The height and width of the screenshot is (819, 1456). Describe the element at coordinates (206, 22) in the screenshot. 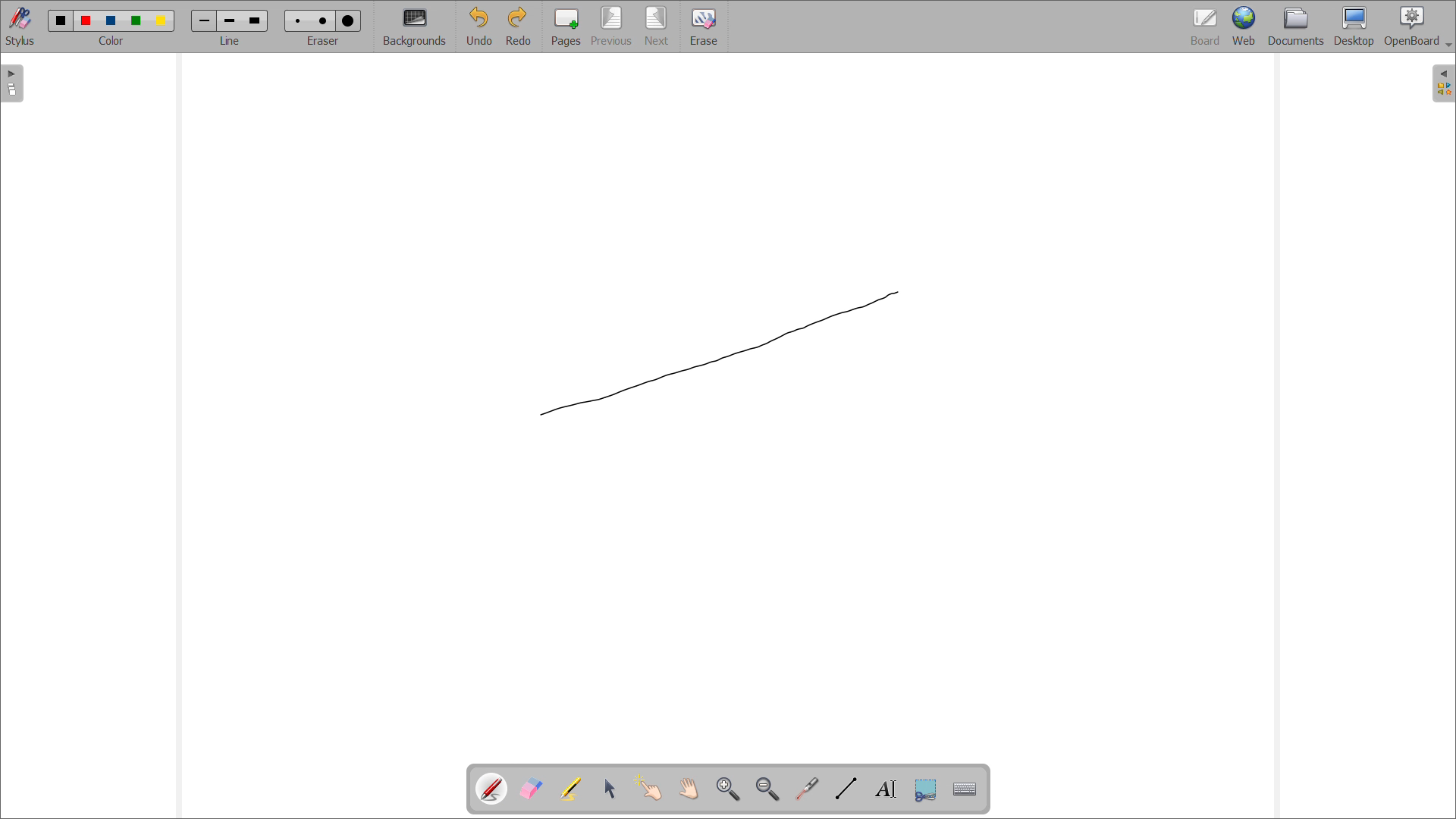

I see `line width size` at that location.